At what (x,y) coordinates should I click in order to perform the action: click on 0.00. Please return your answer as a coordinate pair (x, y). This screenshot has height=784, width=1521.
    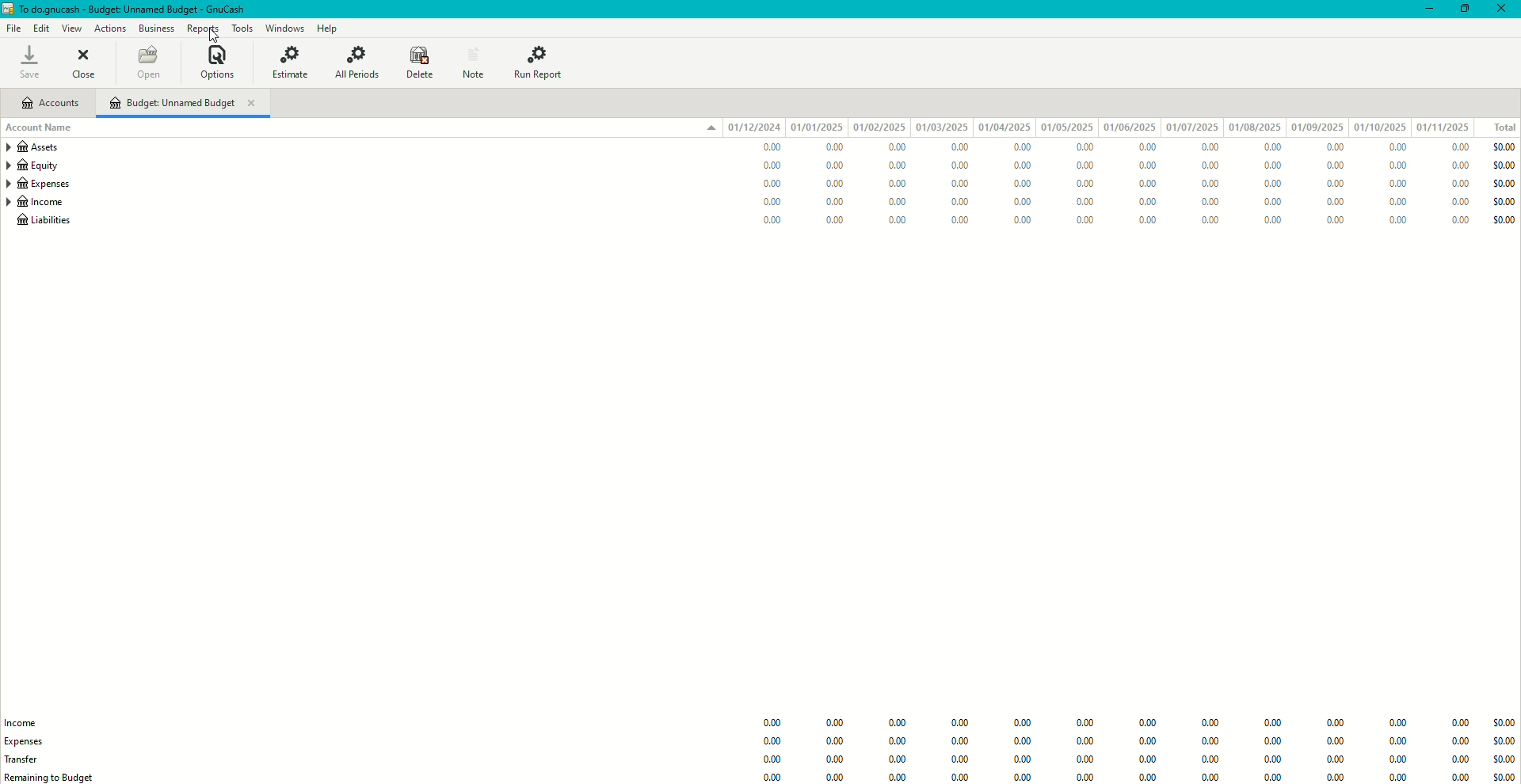
    Looking at the image, I should click on (959, 202).